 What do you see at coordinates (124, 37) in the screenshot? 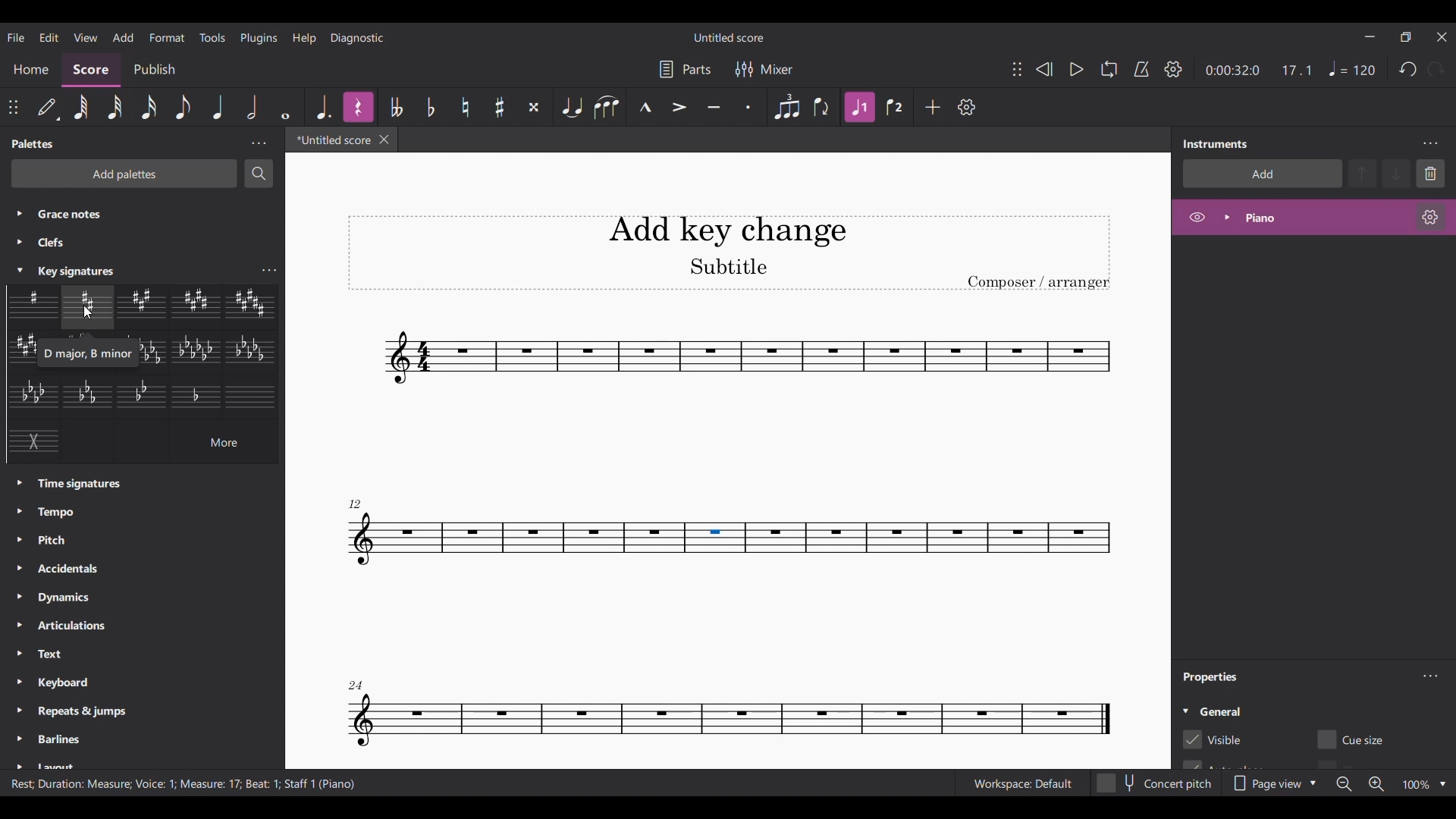
I see `Add menu` at bounding box center [124, 37].